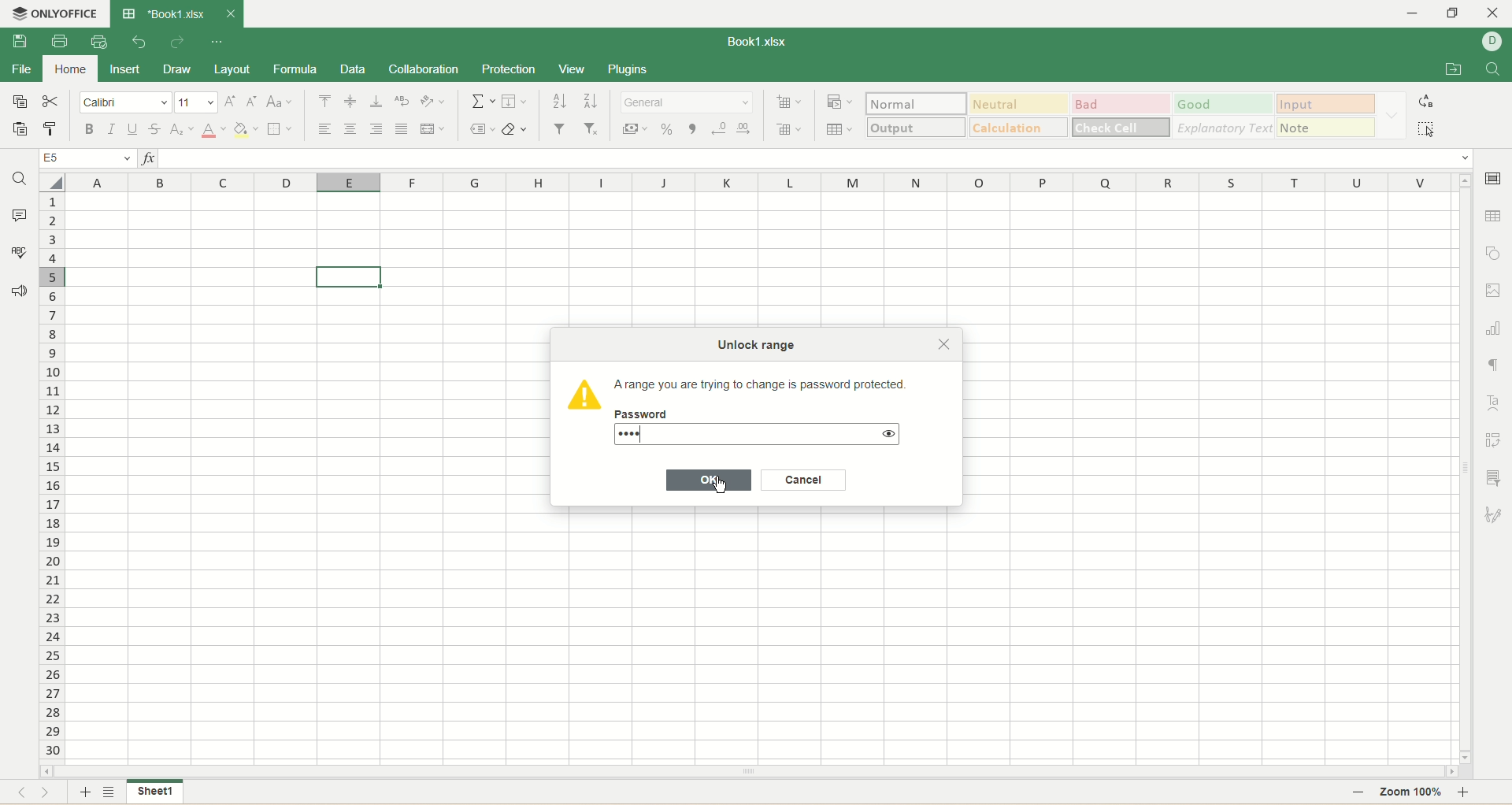  I want to click on sheet 1, so click(157, 793).